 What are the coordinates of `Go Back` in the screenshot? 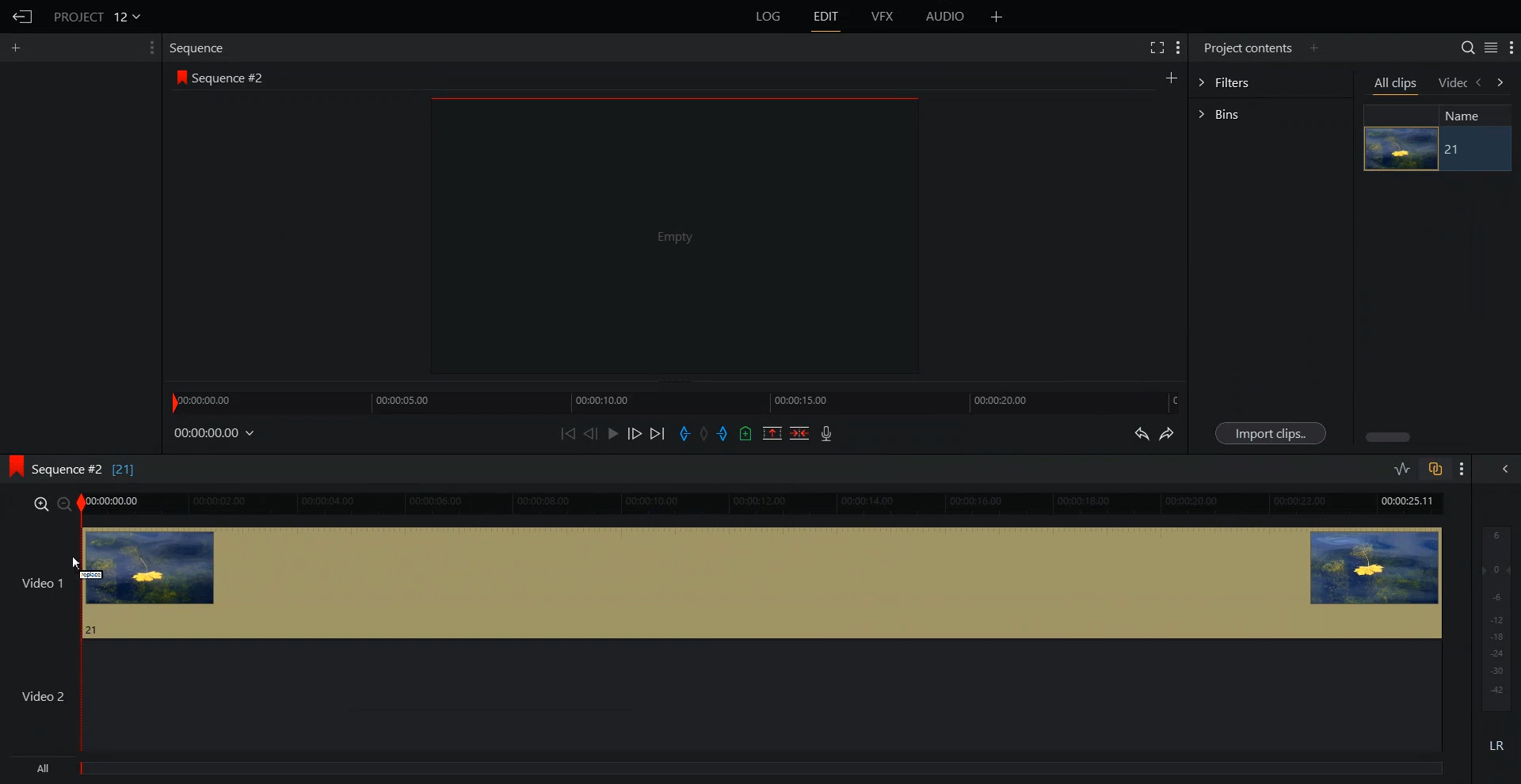 It's located at (22, 16).